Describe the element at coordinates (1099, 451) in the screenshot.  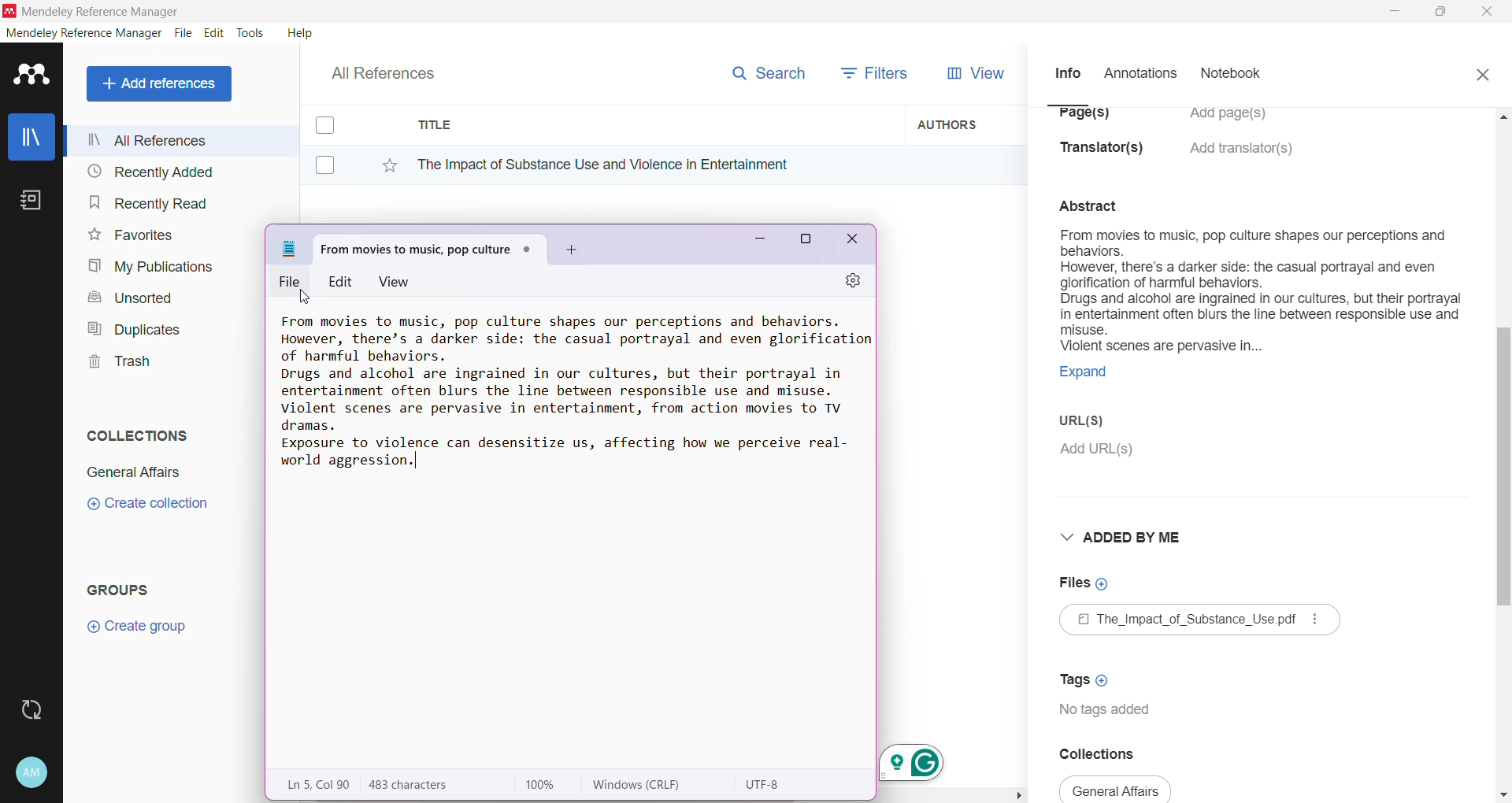
I see `Click to Add URL(s)` at that location.